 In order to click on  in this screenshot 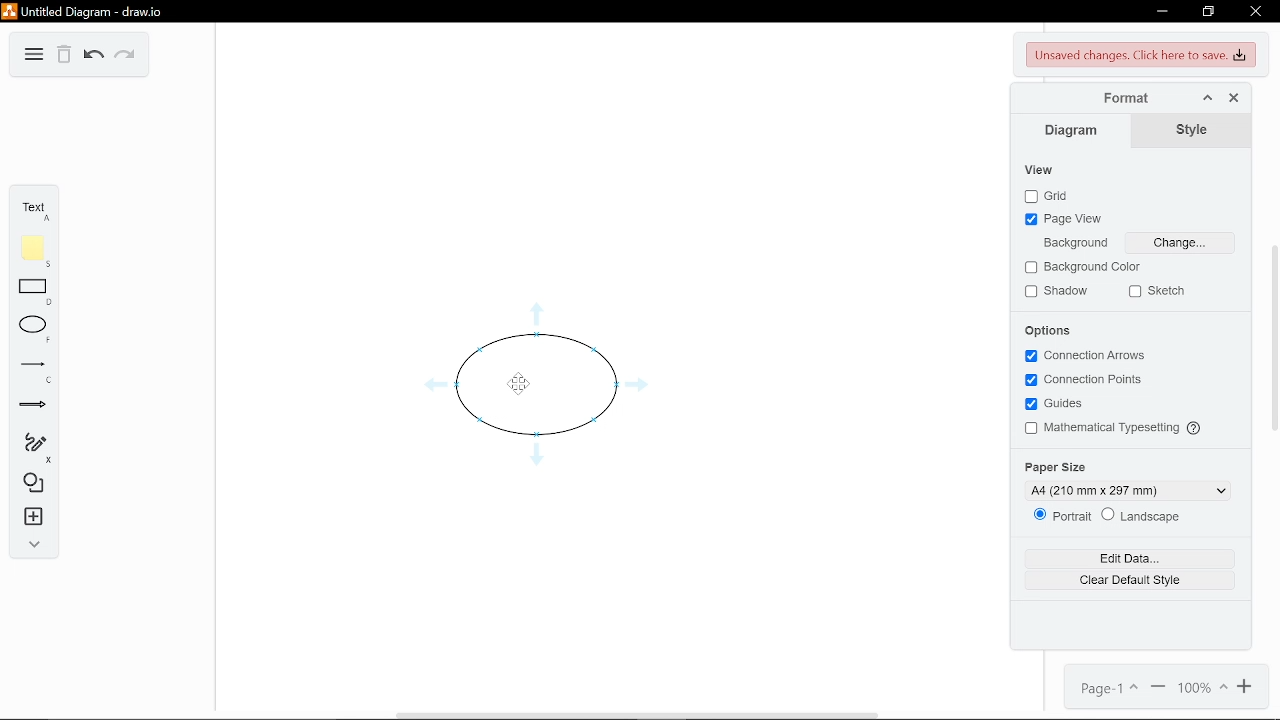, I will do `click(519, 383)`.